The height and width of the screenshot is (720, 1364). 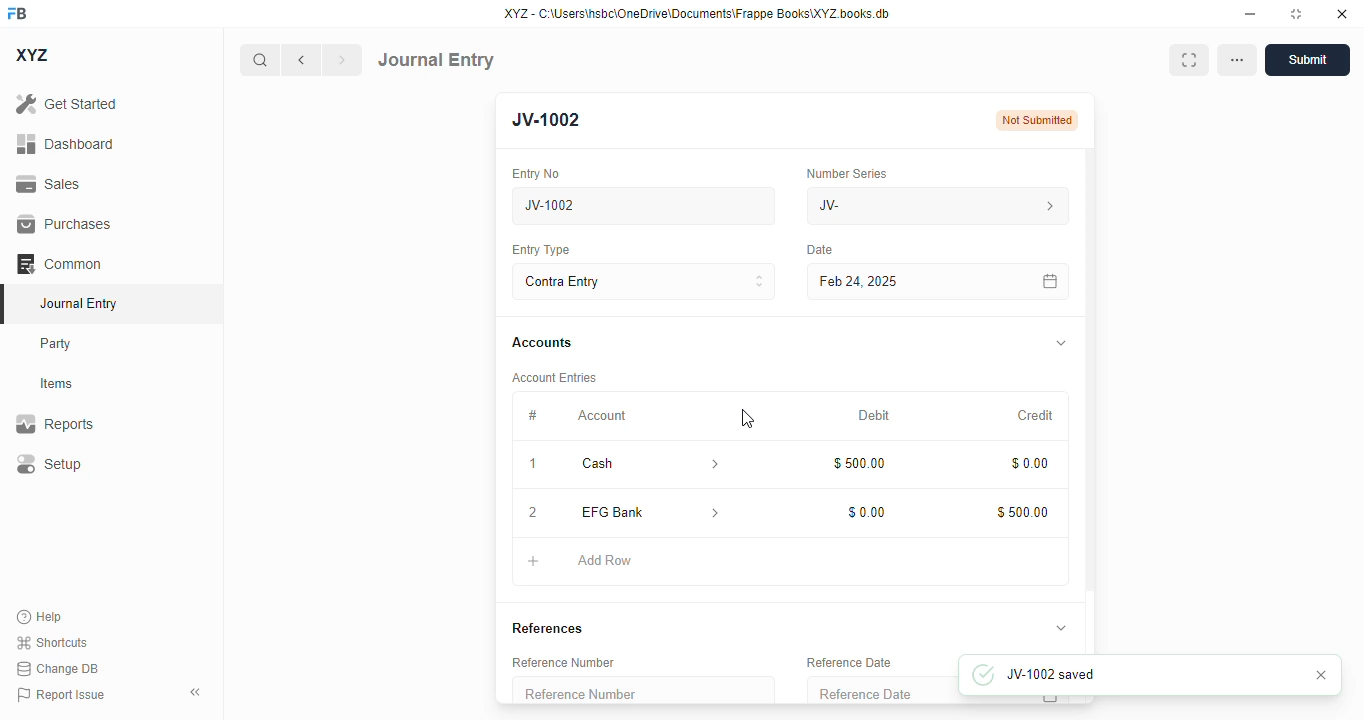 What do you see at coordinates (716, 512) in the screenshot?
I see `account information` at bounding box center [716, 512].